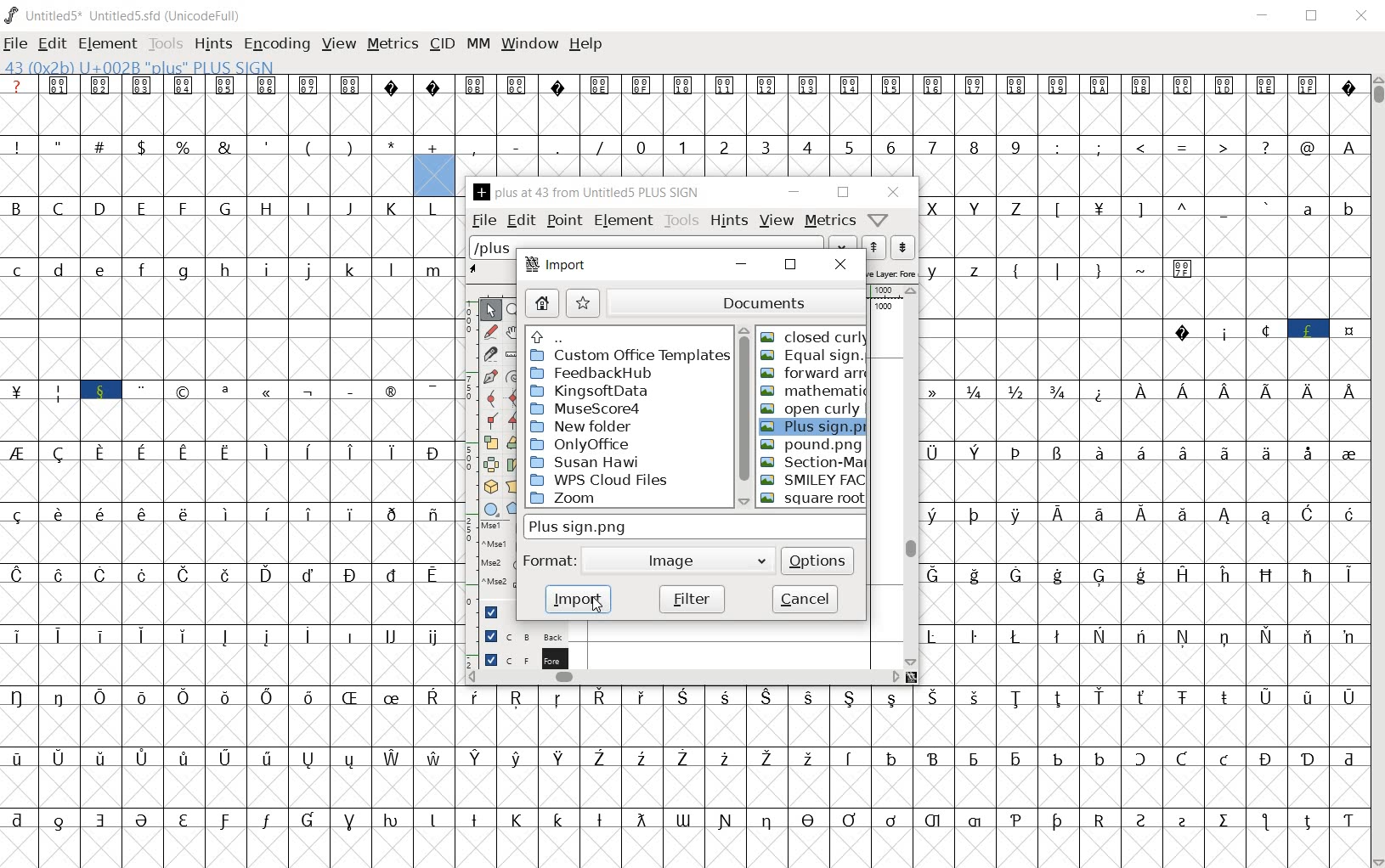 The image size is (1385, 868). I want to click on add a point, then drag out its control points, so click(490, 377).